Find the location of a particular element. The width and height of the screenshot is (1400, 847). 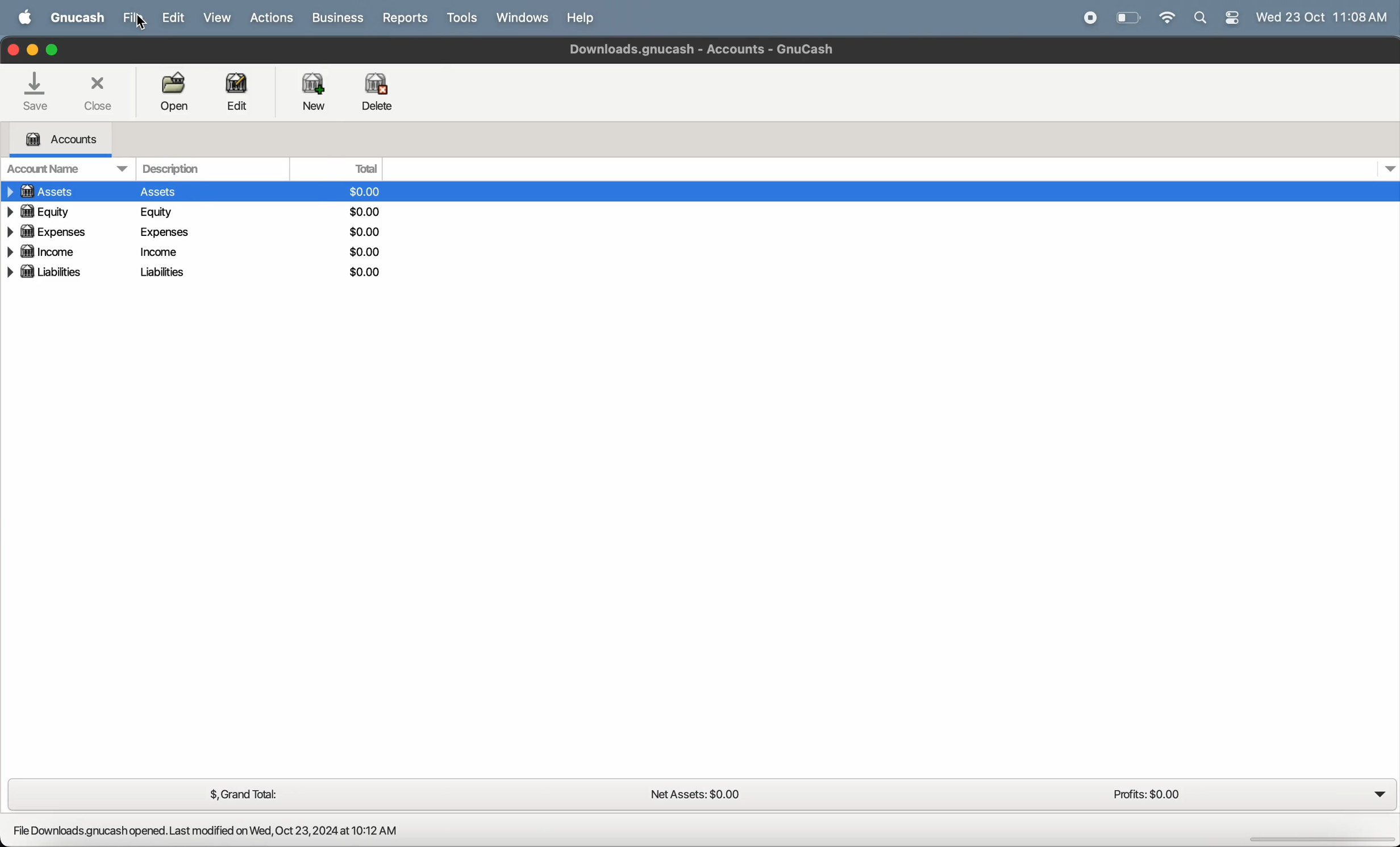

apple menu is located at coordinates (19, 18).